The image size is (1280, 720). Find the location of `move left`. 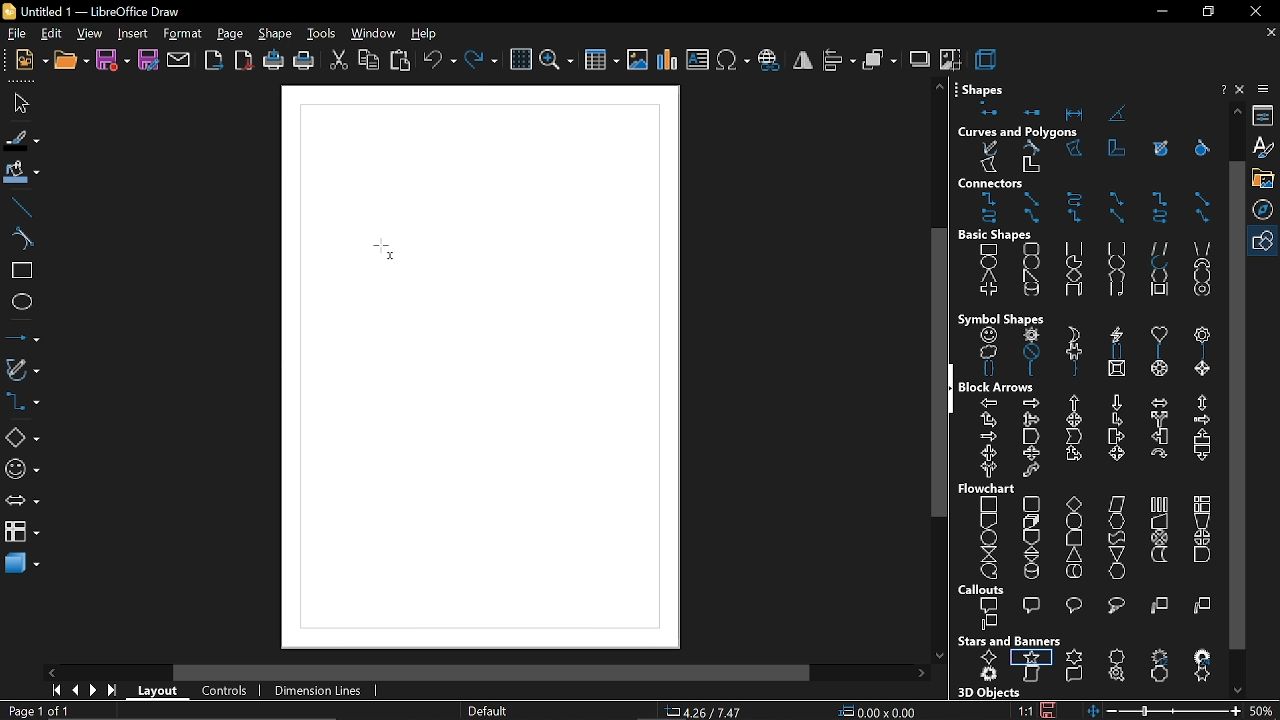

move left is located at coordinates (51, 672).